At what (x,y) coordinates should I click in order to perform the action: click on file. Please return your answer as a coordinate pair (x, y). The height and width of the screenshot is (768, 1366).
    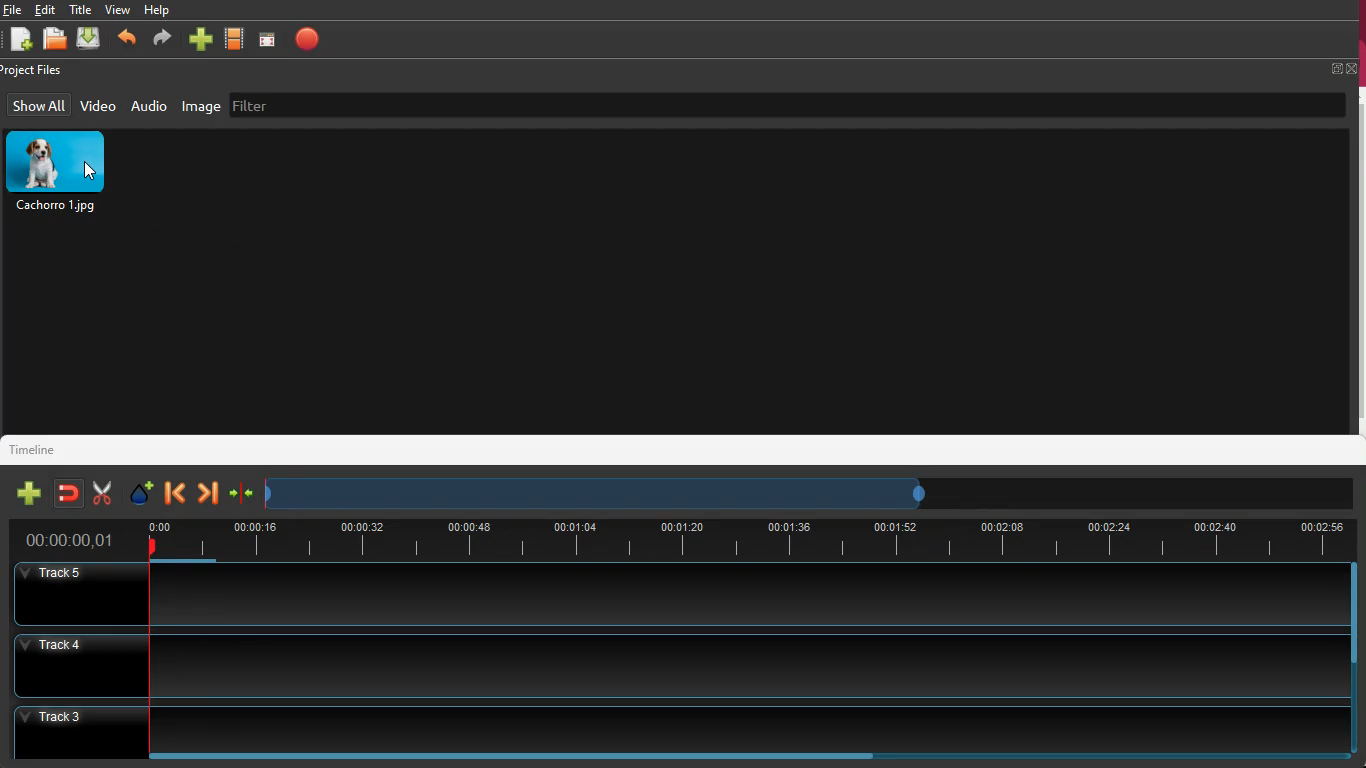
    Looking at the image, I should click on (58, 41).